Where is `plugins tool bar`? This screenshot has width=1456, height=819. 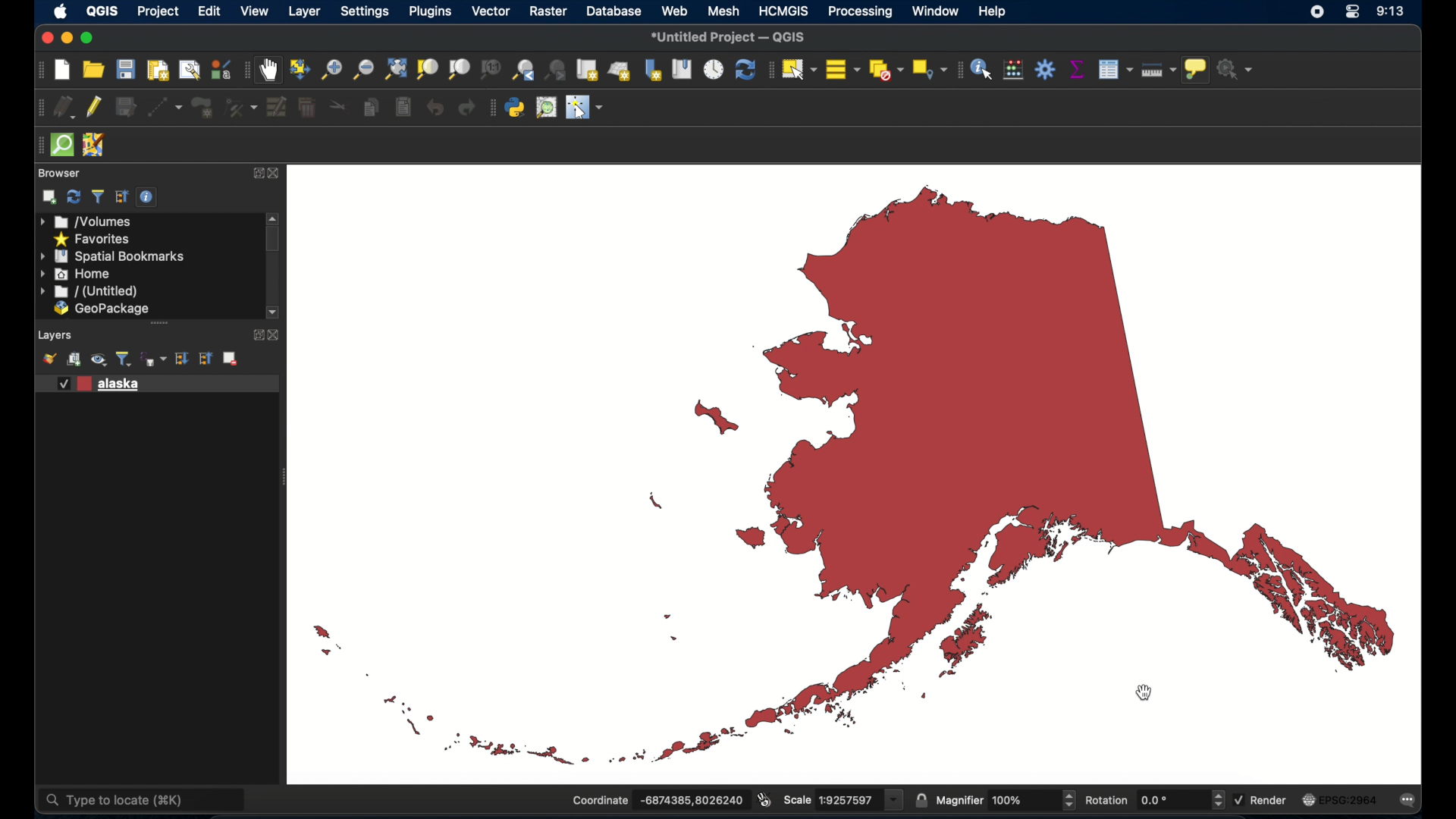
plugins tool bar is located at coordinates (492, 108).